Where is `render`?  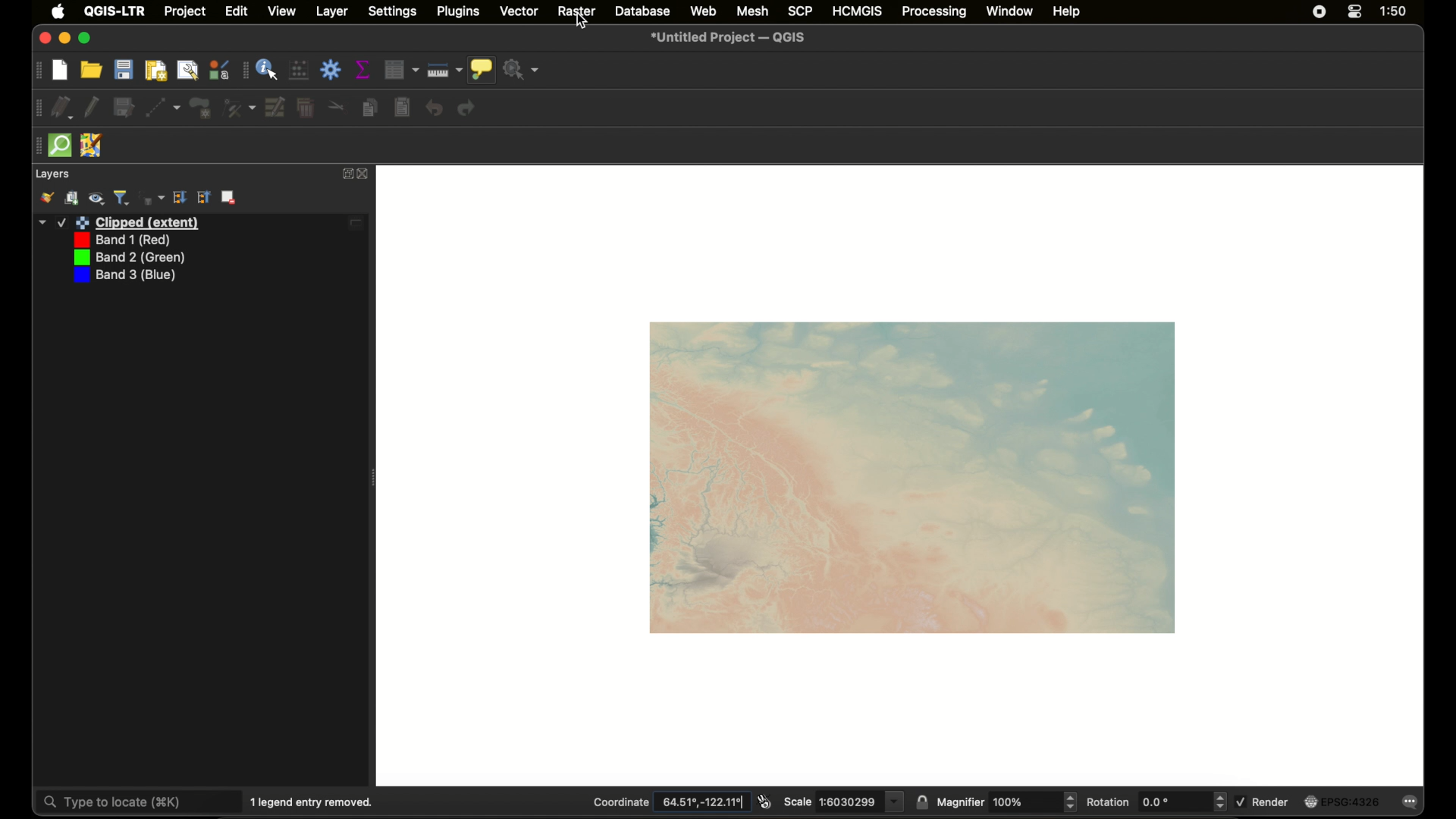 render is located at coordinates (1263, 801).